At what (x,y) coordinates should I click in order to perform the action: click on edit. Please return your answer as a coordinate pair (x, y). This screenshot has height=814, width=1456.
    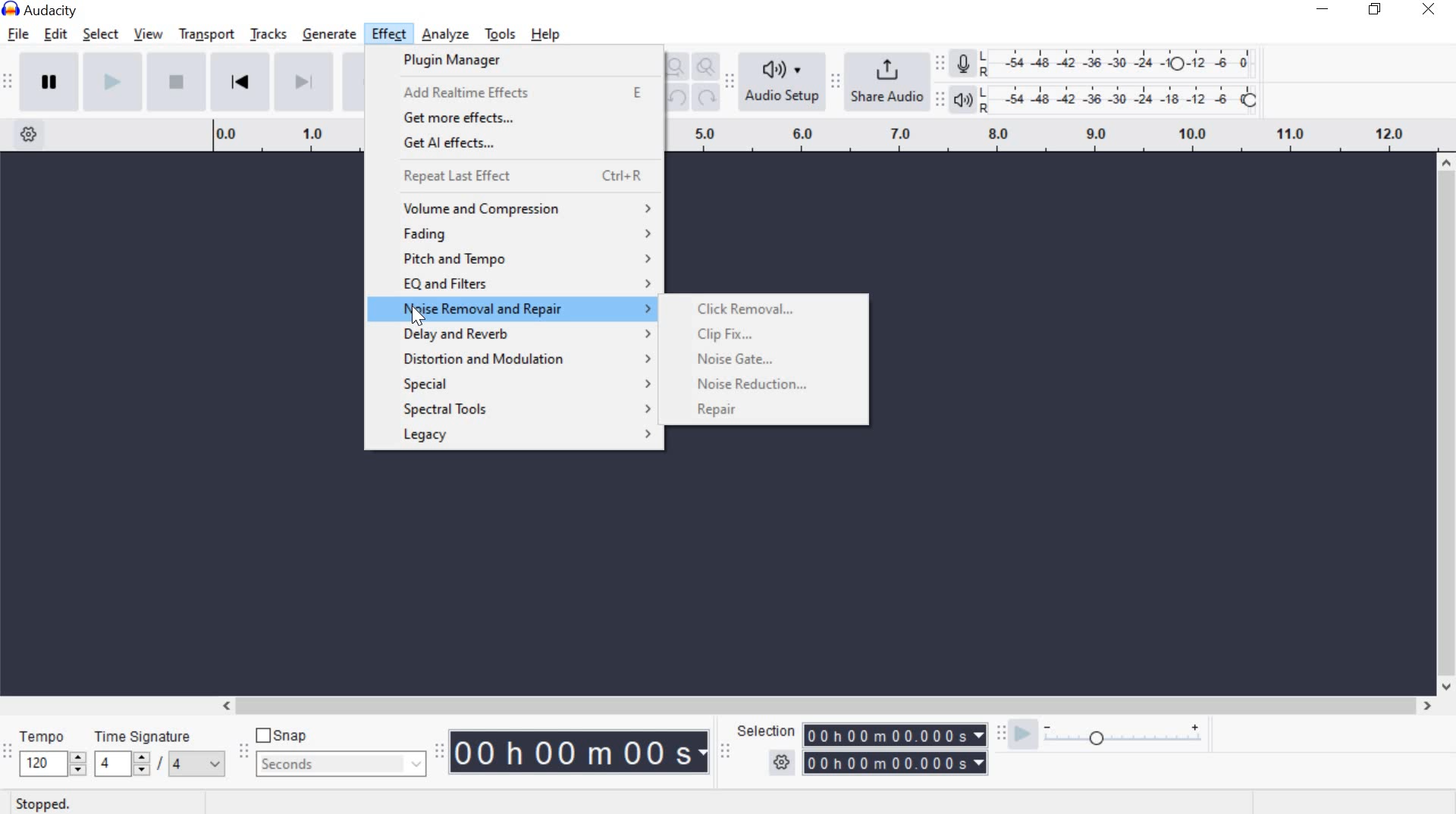
    Looking at the image, I should click on (55, 33).